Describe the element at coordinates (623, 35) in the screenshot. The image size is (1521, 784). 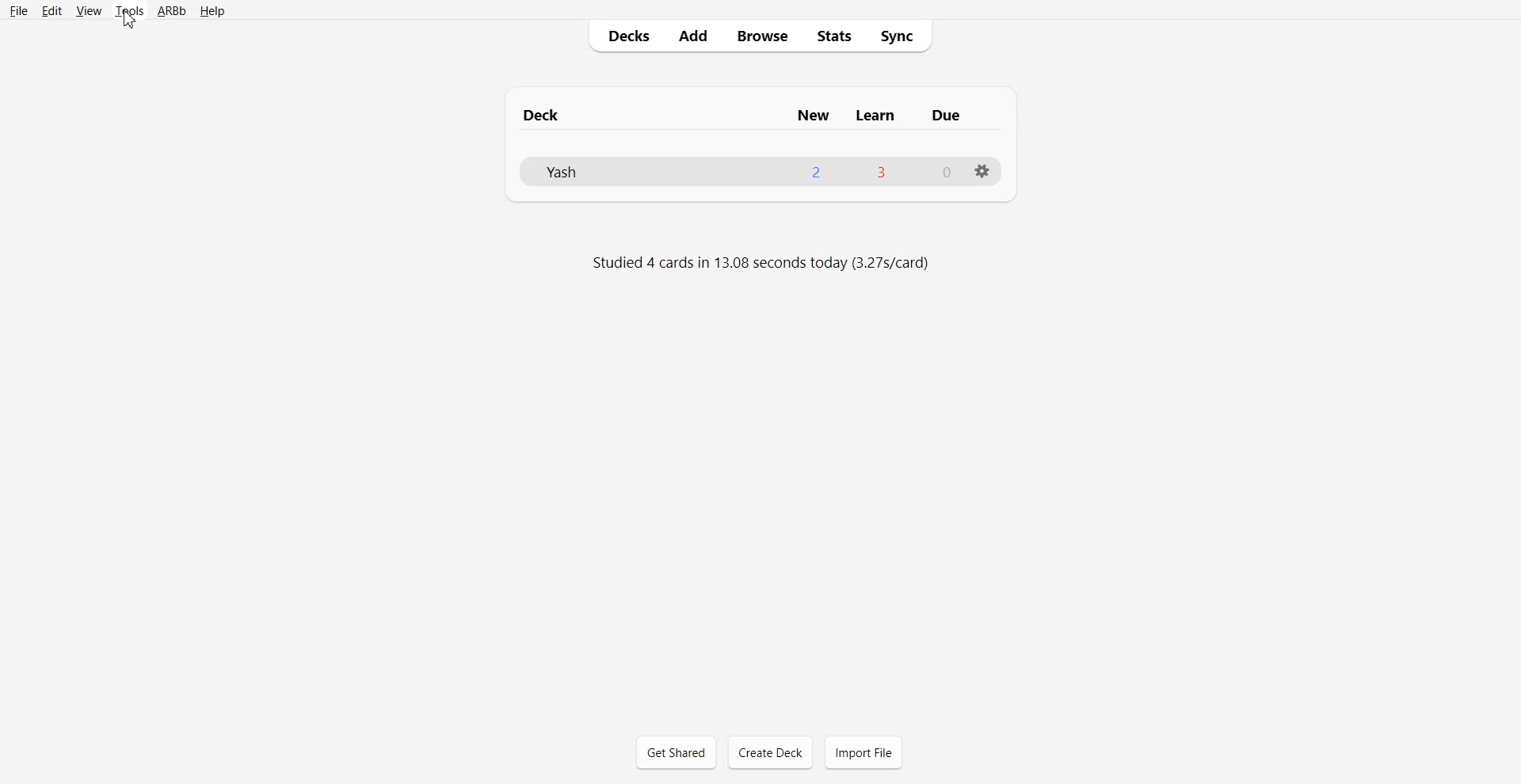
I see `Decks` at that location.